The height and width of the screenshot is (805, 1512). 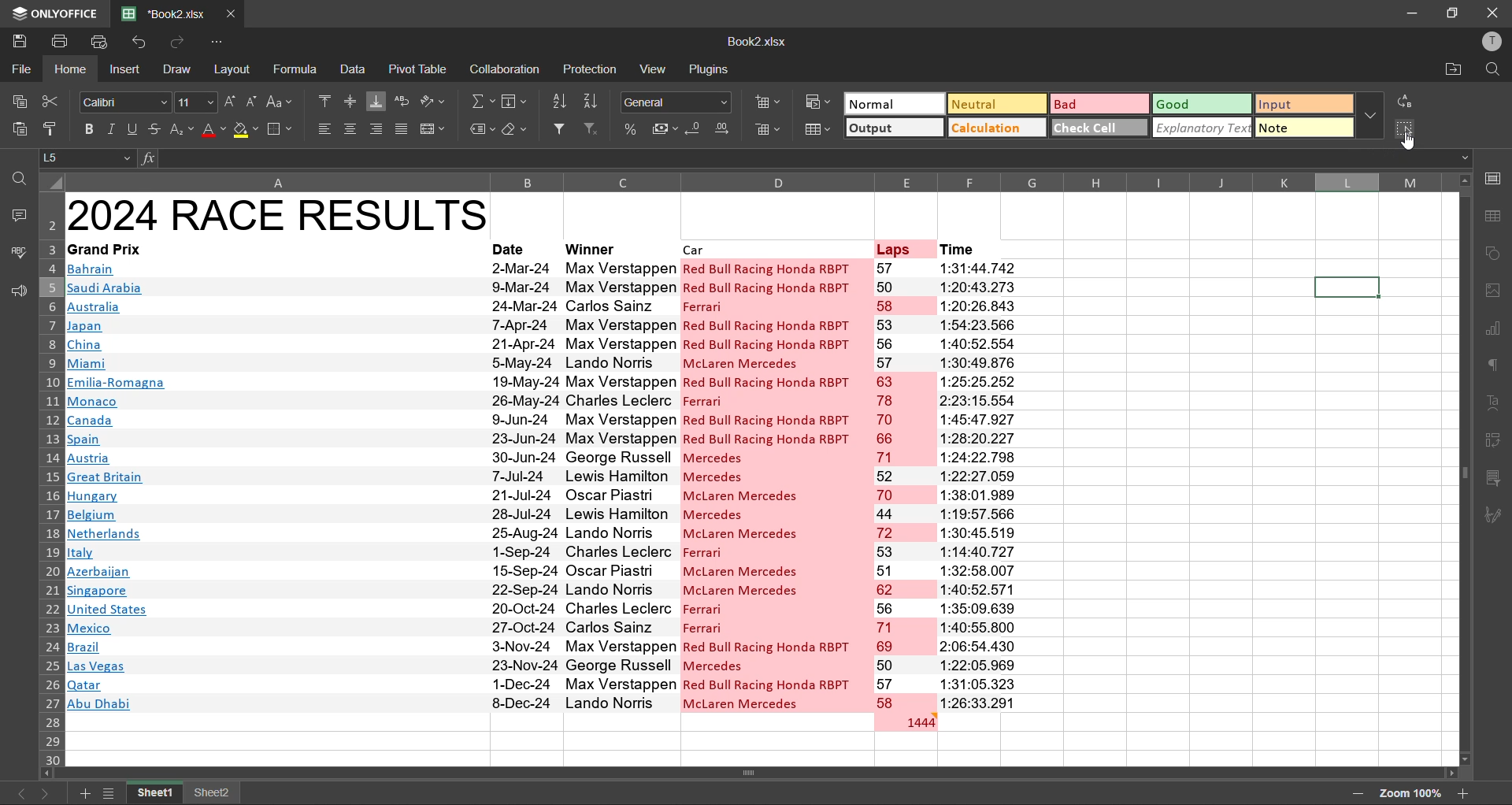 What do you see at coordinates (1299, 104) in the screenshot?
I see `input` at bounding box center [1299, 104].